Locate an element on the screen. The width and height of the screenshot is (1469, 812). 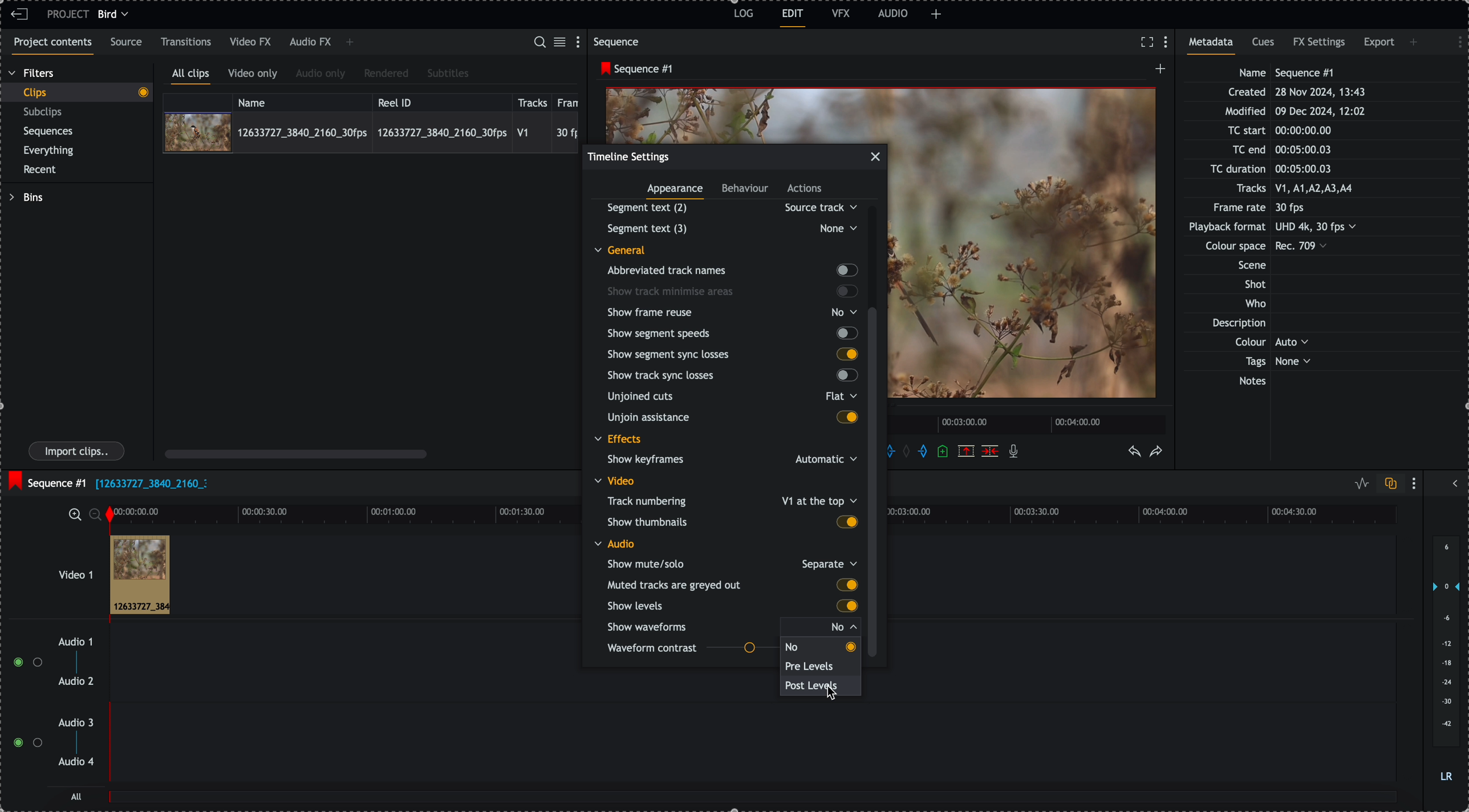
show settings menu is located at coordinates (581, 41).